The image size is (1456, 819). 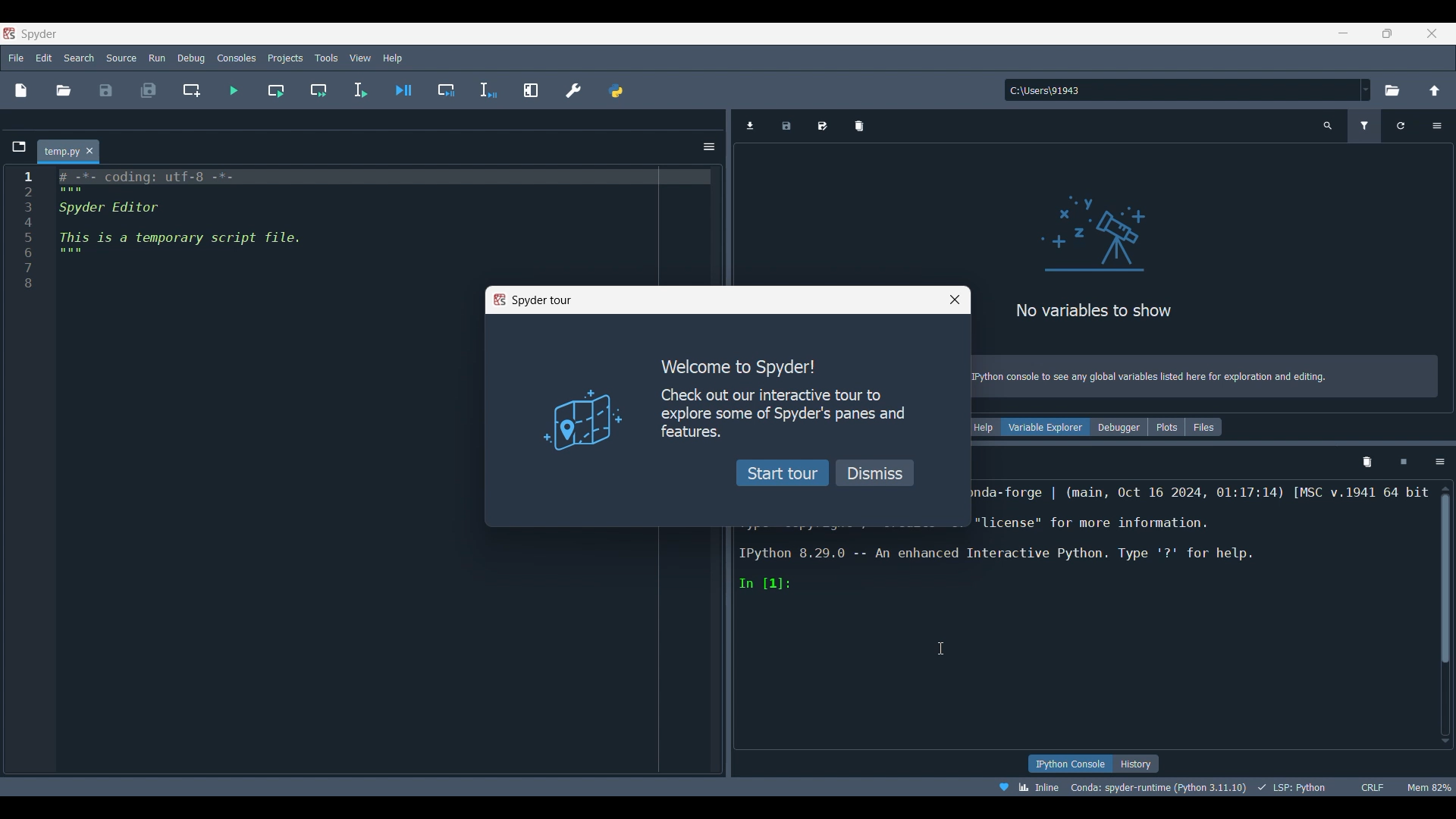 I want to click on menu, so click(x=1439, y=462).